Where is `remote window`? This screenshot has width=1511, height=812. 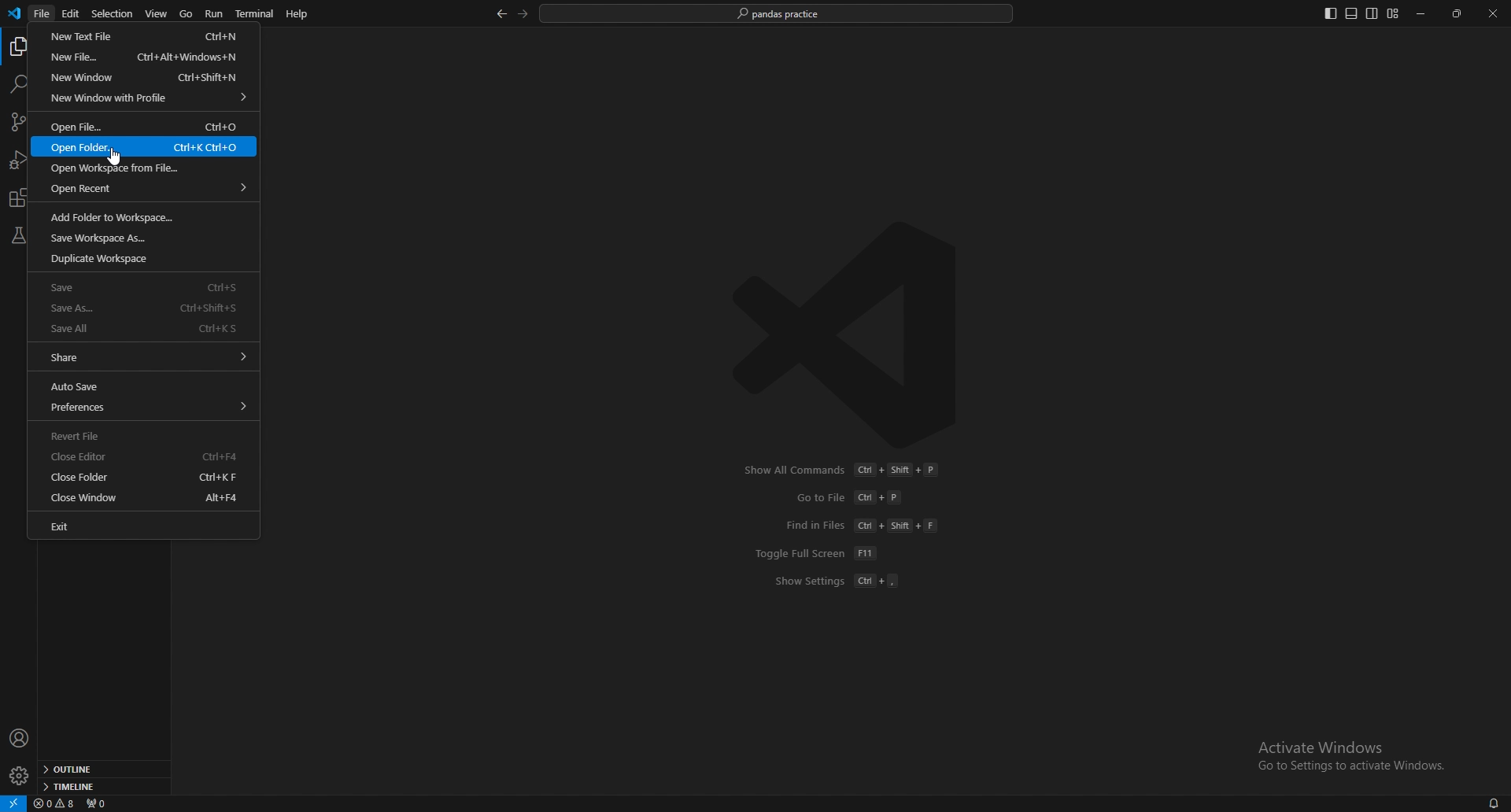
remote window is located at coordinates (13, 803).